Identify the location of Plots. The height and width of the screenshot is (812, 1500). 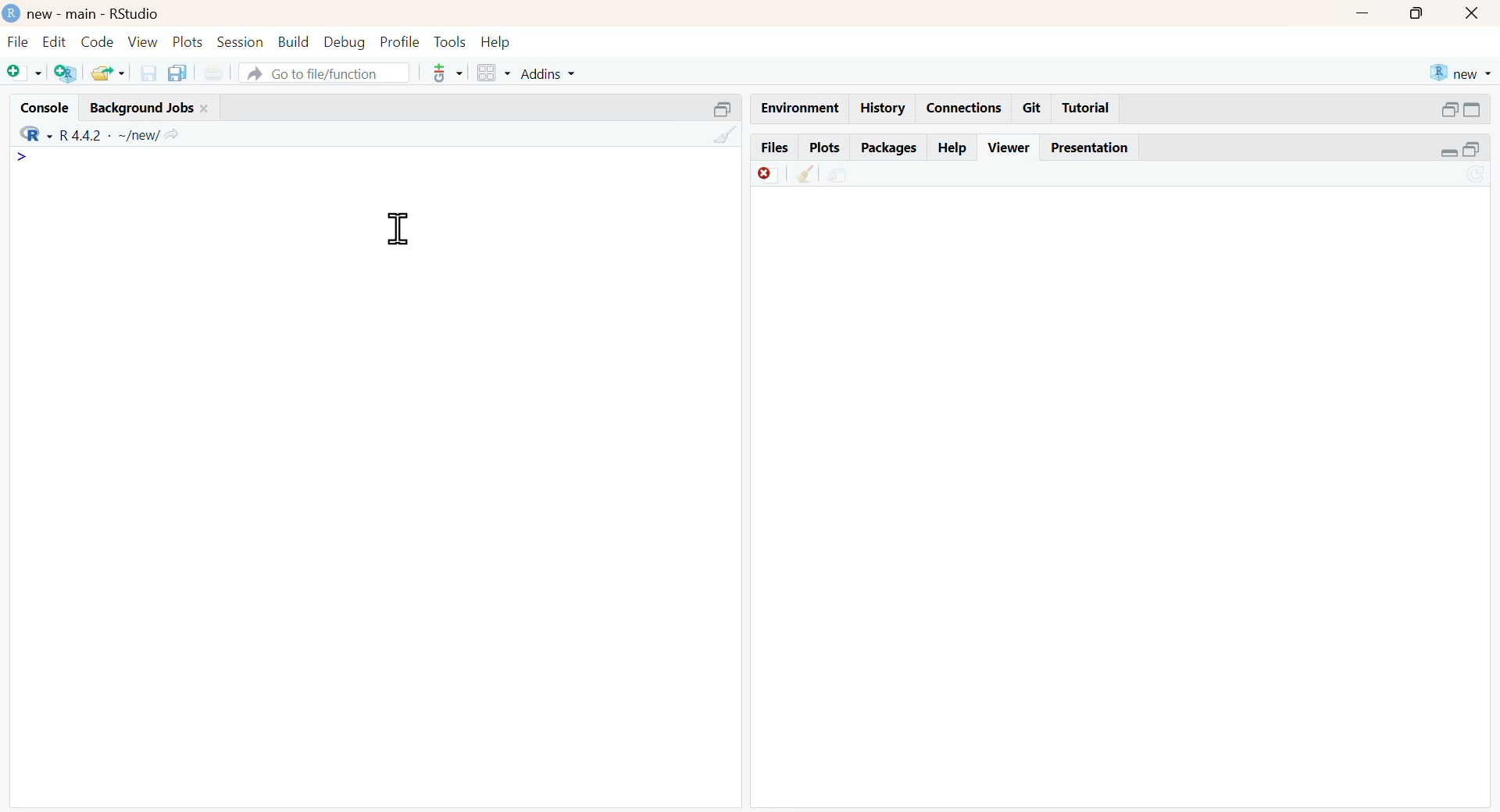
(822, 146).